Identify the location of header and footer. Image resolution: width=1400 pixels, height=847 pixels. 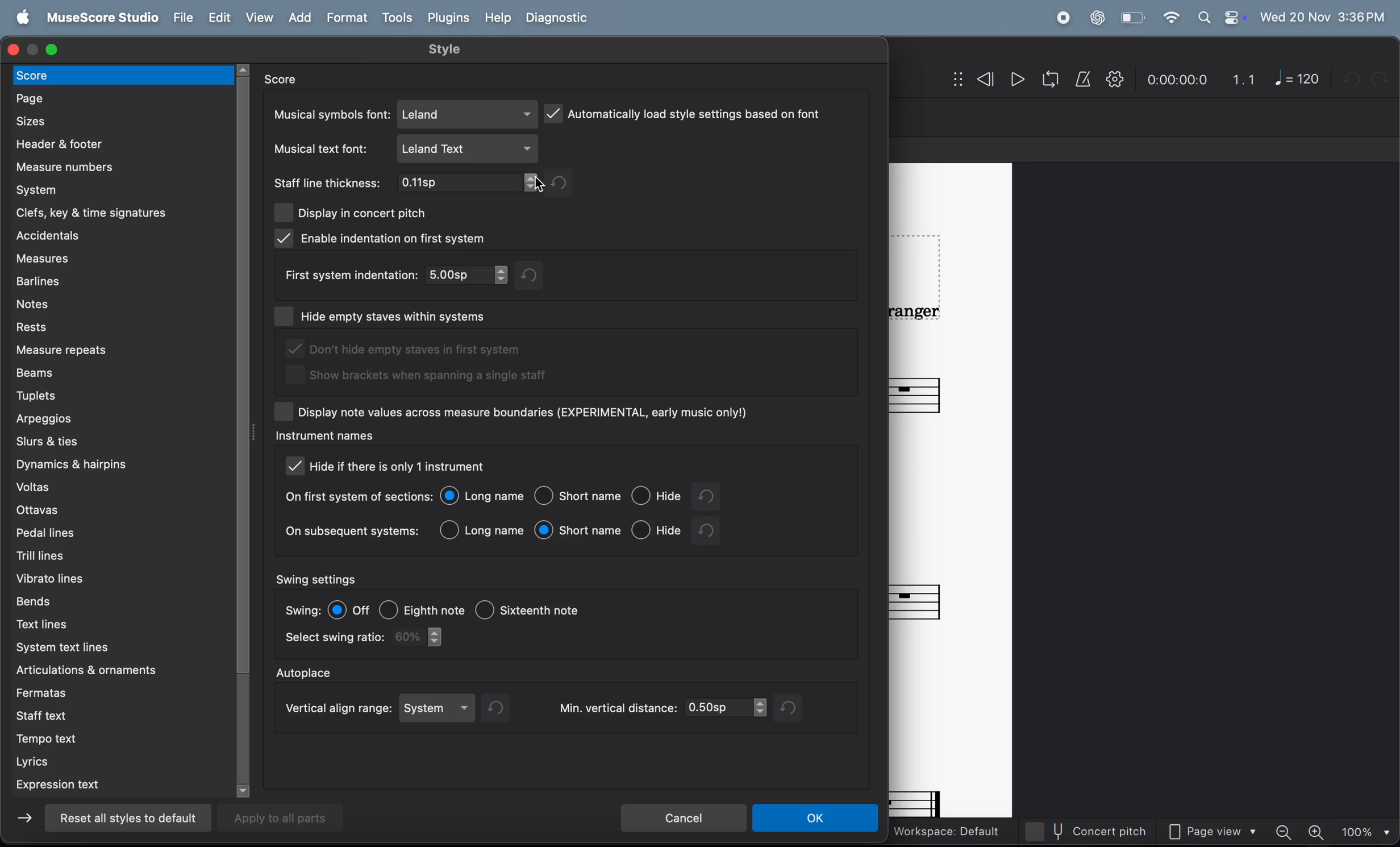
(115, 143).